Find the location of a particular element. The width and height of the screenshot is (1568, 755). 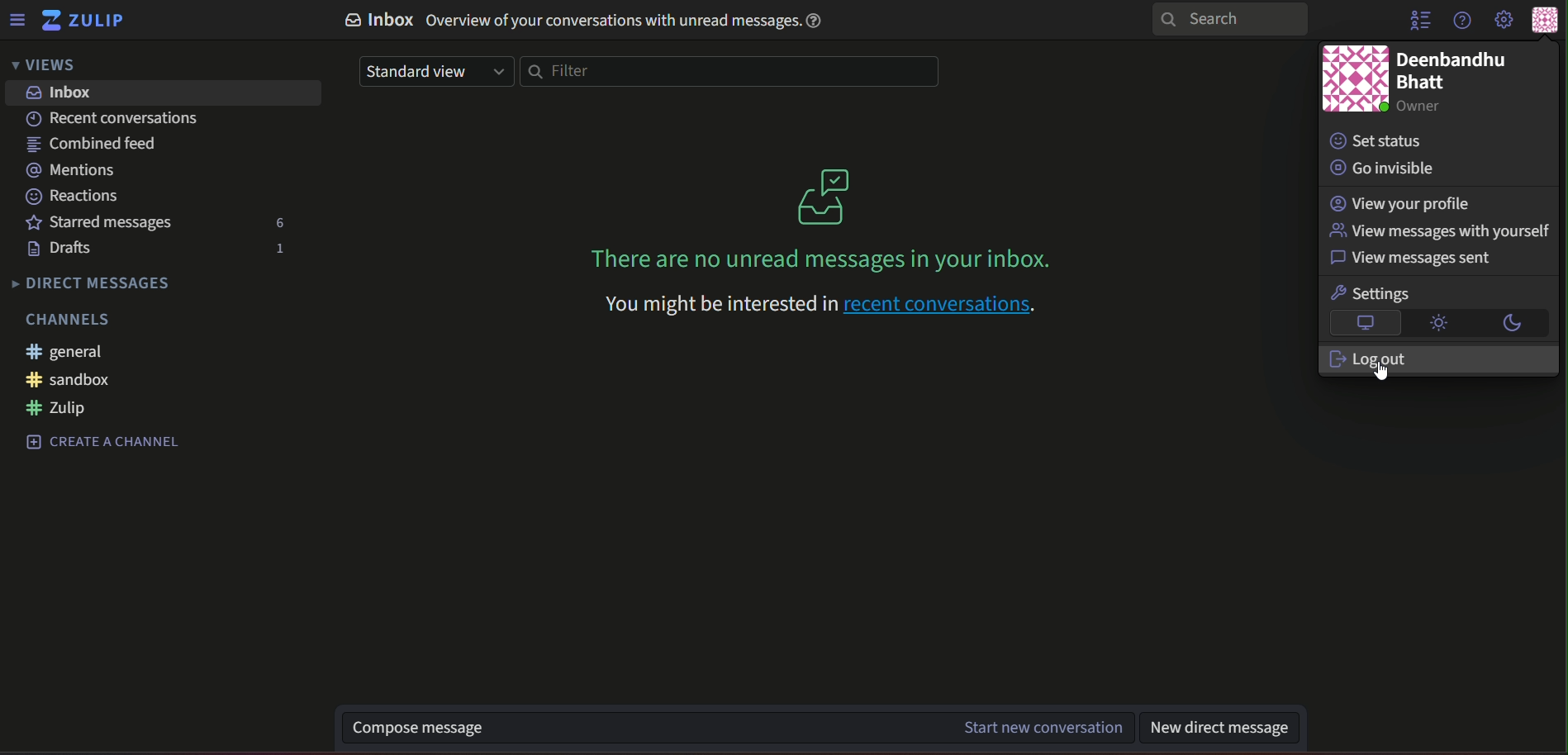

text is located at coordinates (821, 288).